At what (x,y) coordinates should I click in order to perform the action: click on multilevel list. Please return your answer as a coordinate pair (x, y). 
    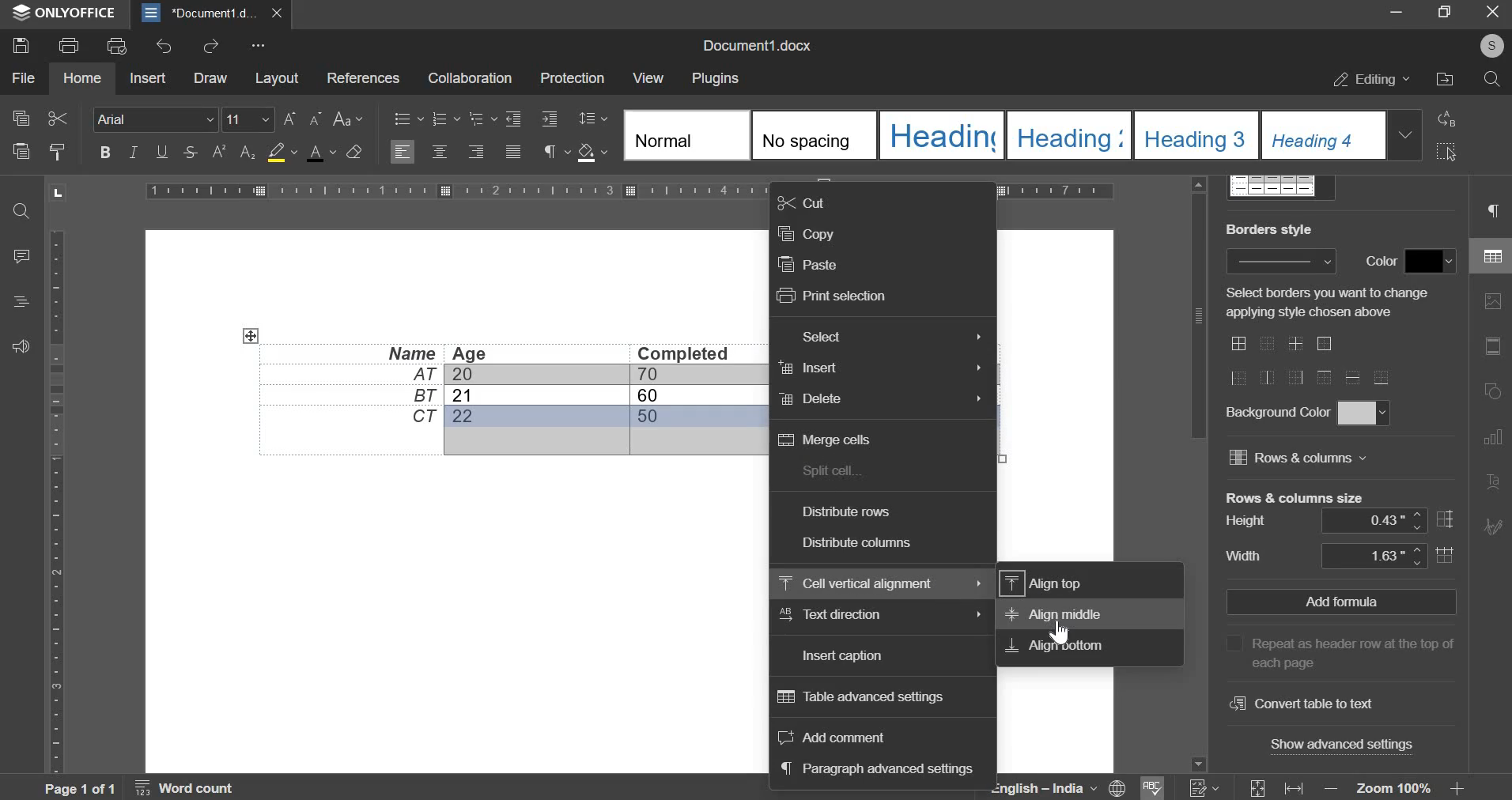
    Looking at the image, I should click on (481, 119).